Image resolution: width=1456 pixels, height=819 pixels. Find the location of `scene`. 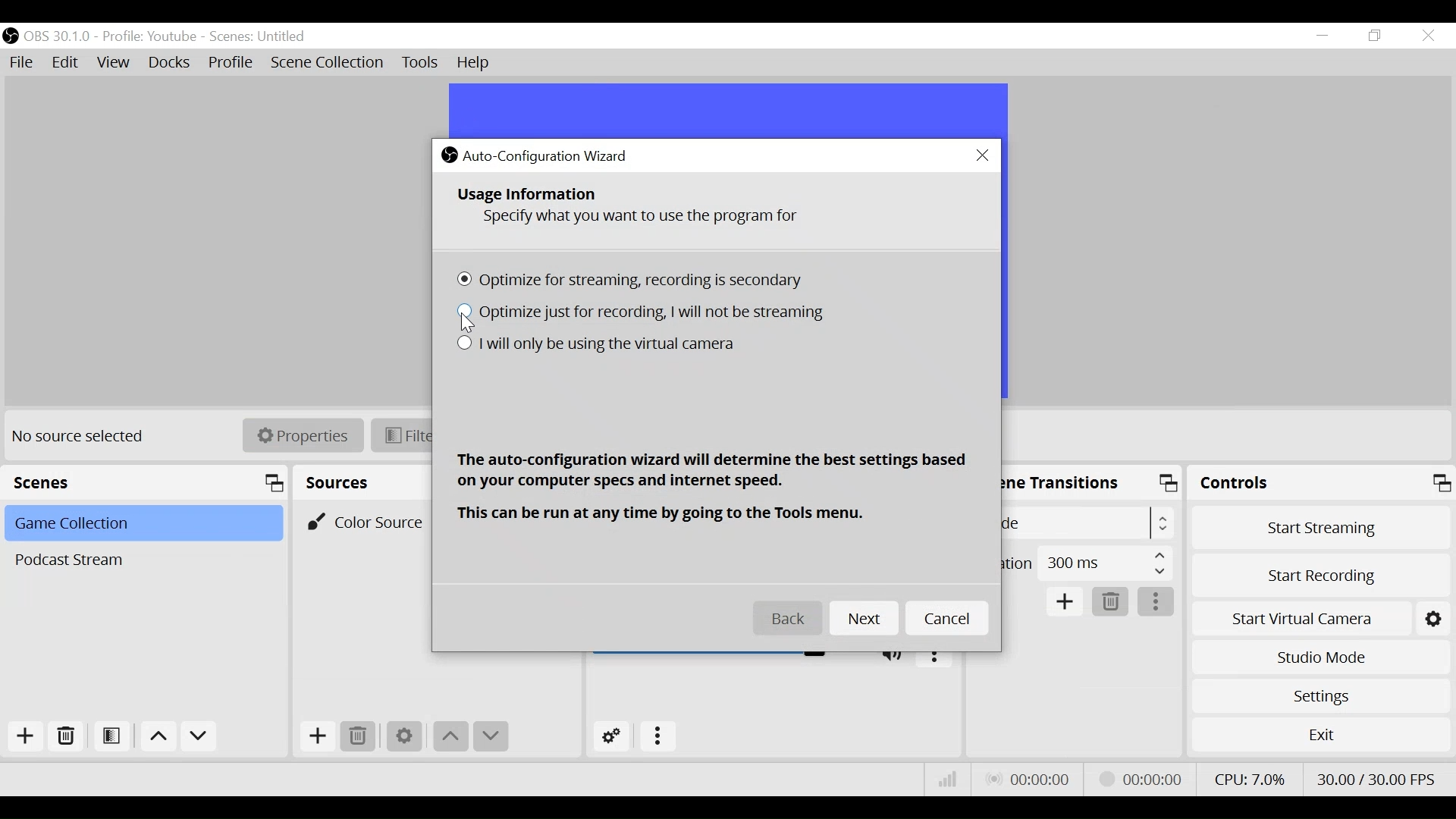

scene is located at coordinates (259, 37).